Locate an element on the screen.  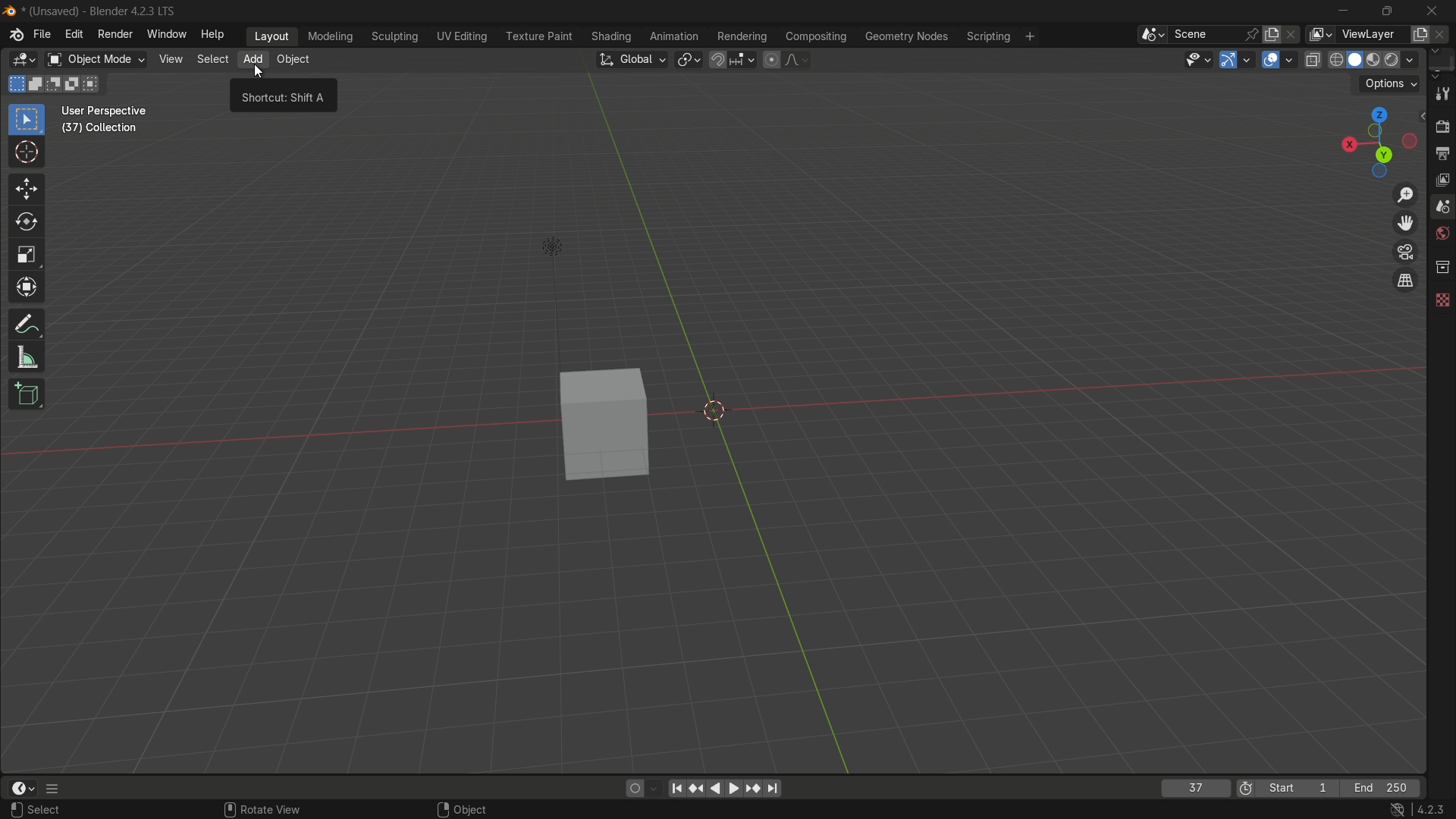
transform orientation is located at coordinates (633, 61).